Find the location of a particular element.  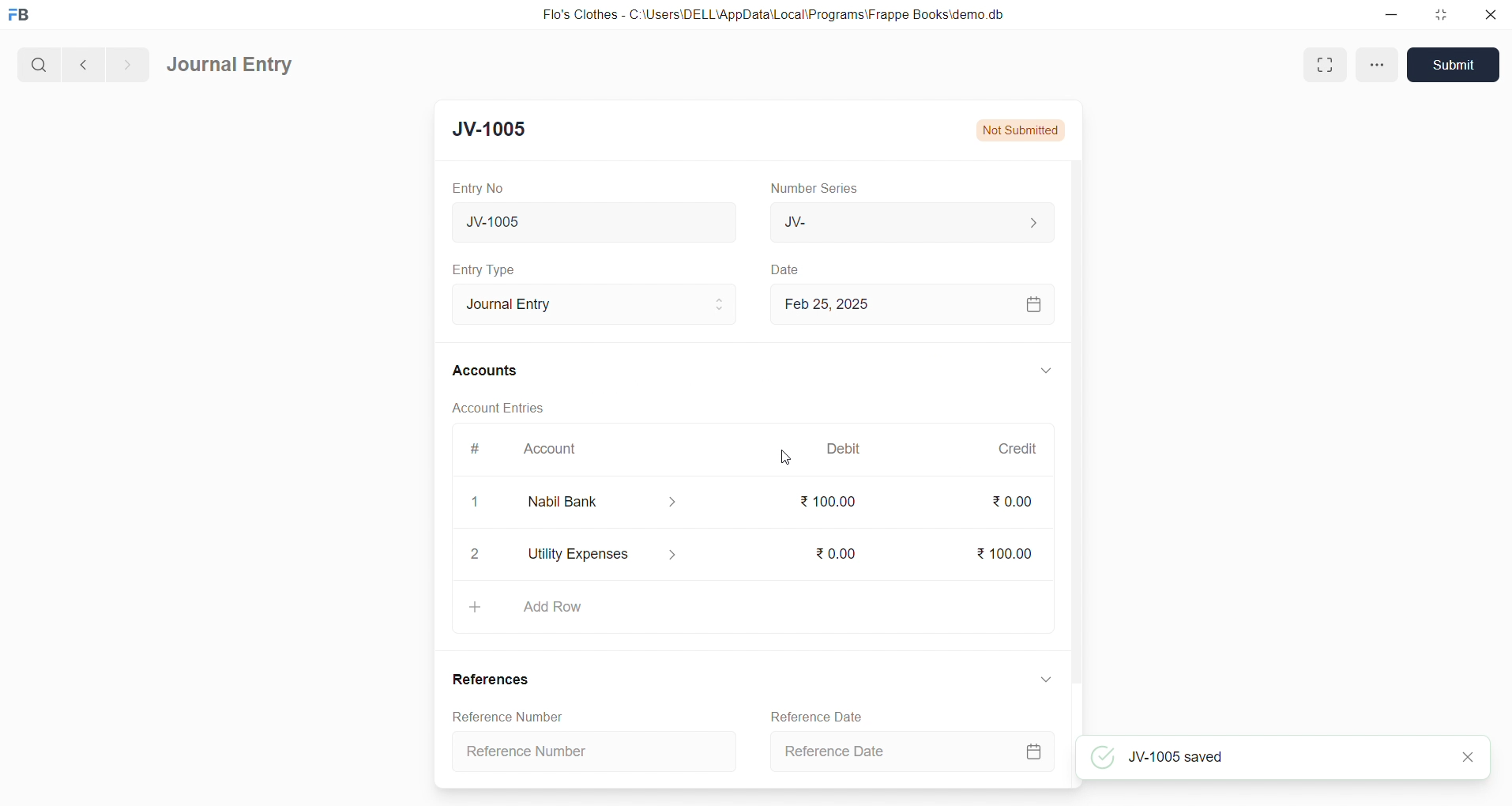

# is located at coordinates (473, 449).